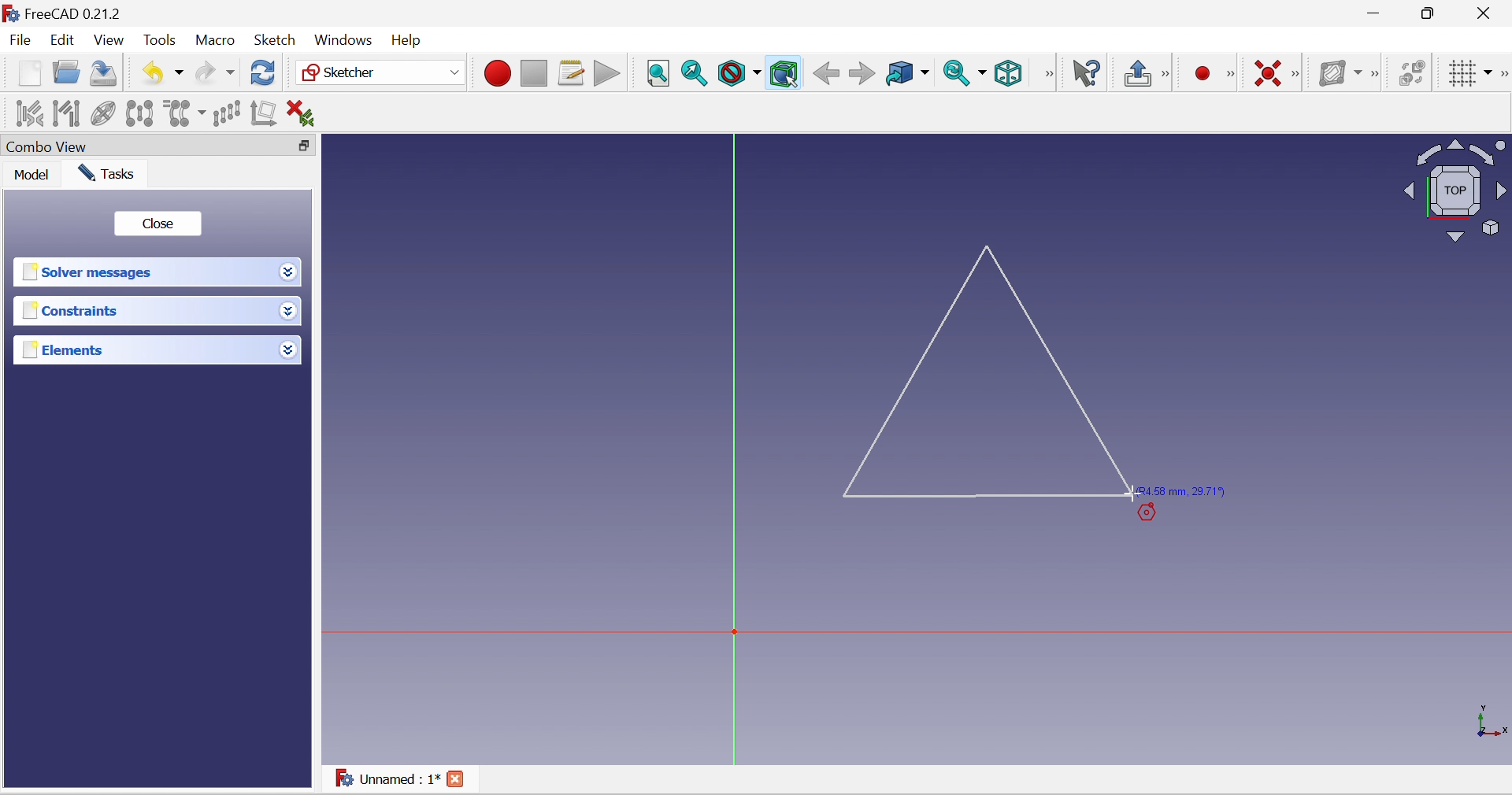  I want to click on Toggle grid, so click(1470, 73).